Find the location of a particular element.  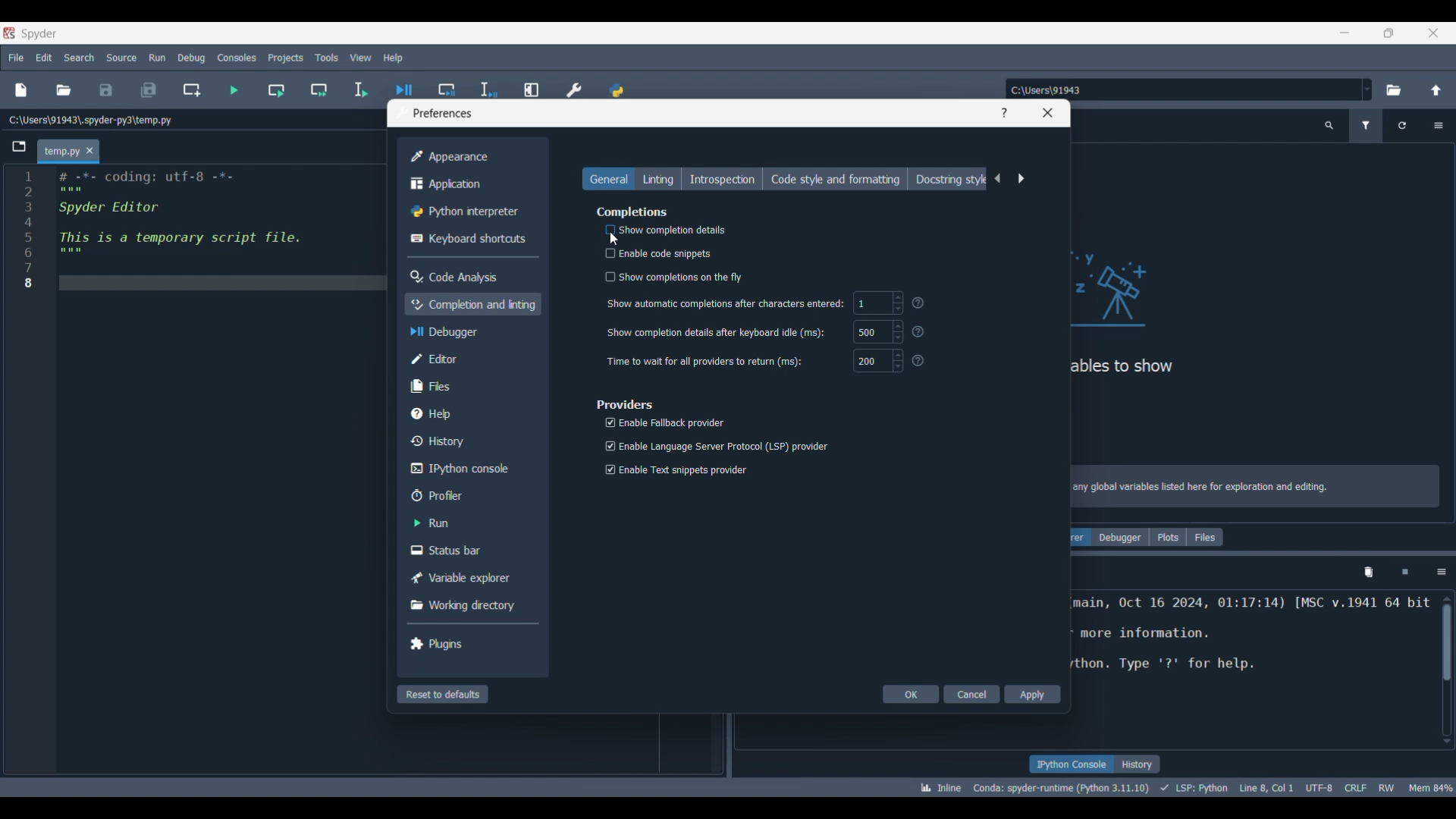

Projects menu is located at coordinates (286, 58).